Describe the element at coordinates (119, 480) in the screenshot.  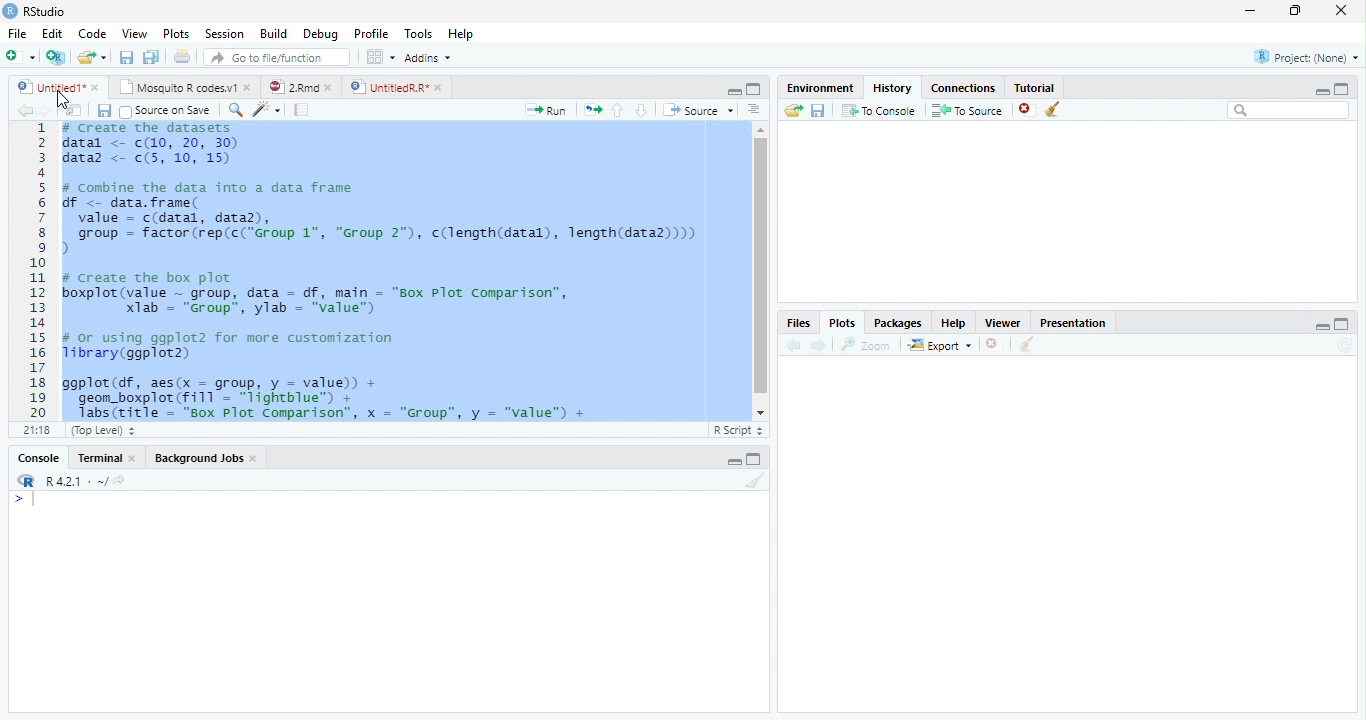
I see `View the current working directory` at that location.